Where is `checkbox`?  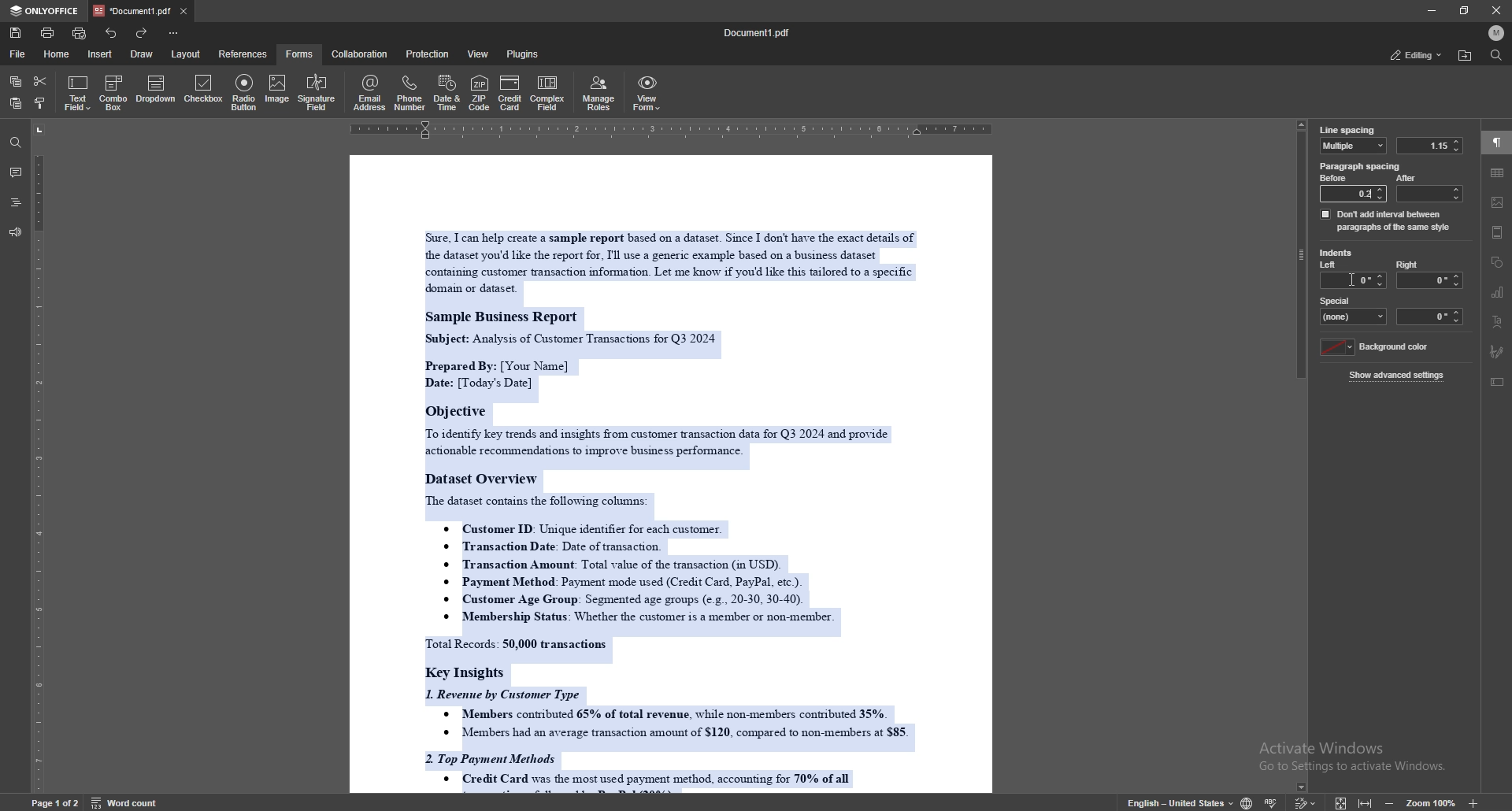 checkbox is located at coordinates (205, 91).